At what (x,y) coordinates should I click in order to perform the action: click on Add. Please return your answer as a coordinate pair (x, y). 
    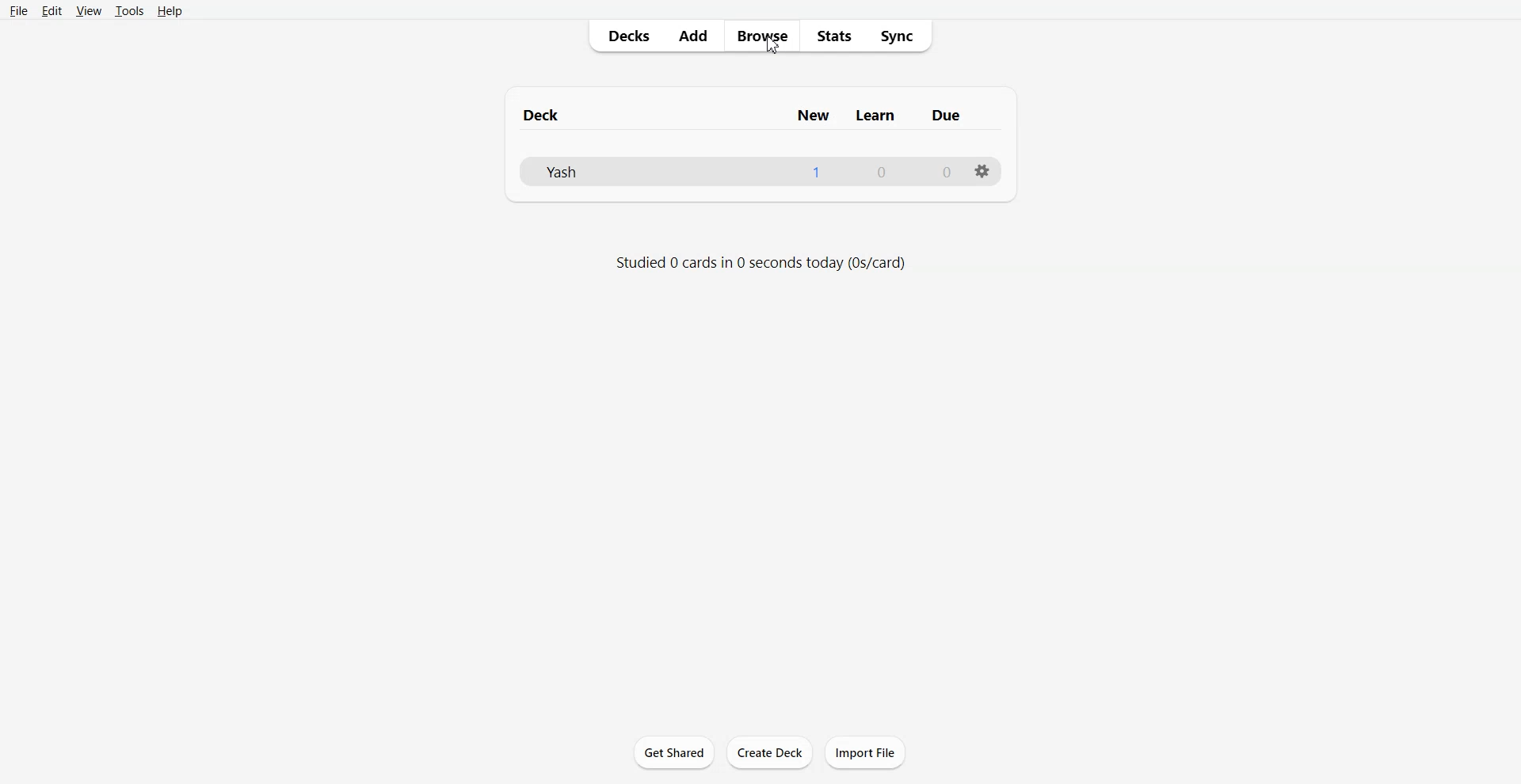
    Looking at the image, I should click on (694, 36).